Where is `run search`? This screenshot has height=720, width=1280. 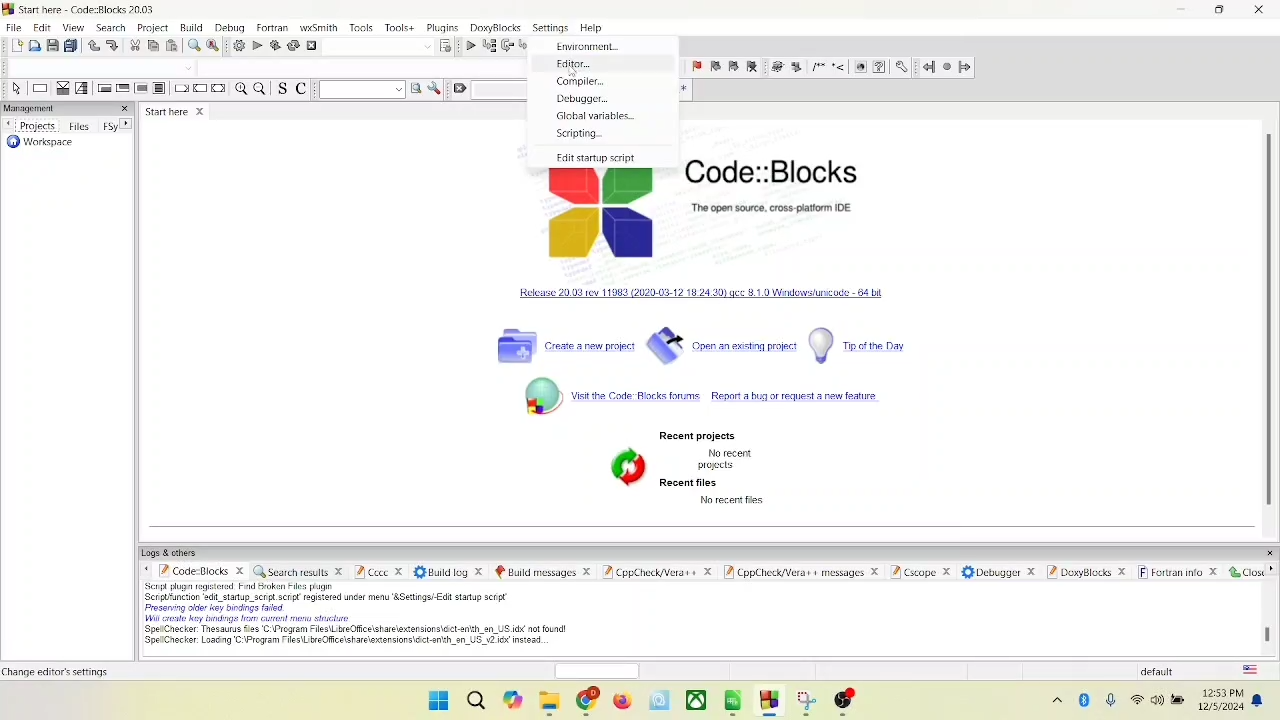 run search is located at coordinates (416, 91).